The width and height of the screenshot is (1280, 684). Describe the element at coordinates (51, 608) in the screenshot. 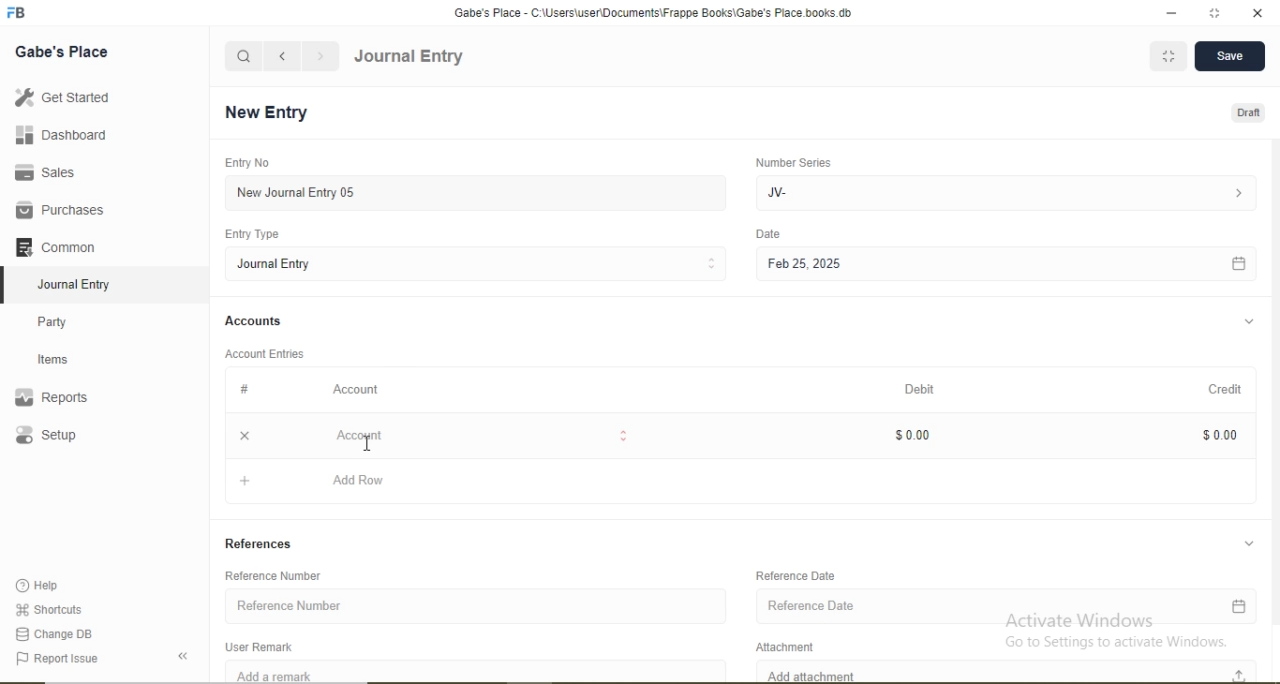

I see `‘Shortcuts` at that location.